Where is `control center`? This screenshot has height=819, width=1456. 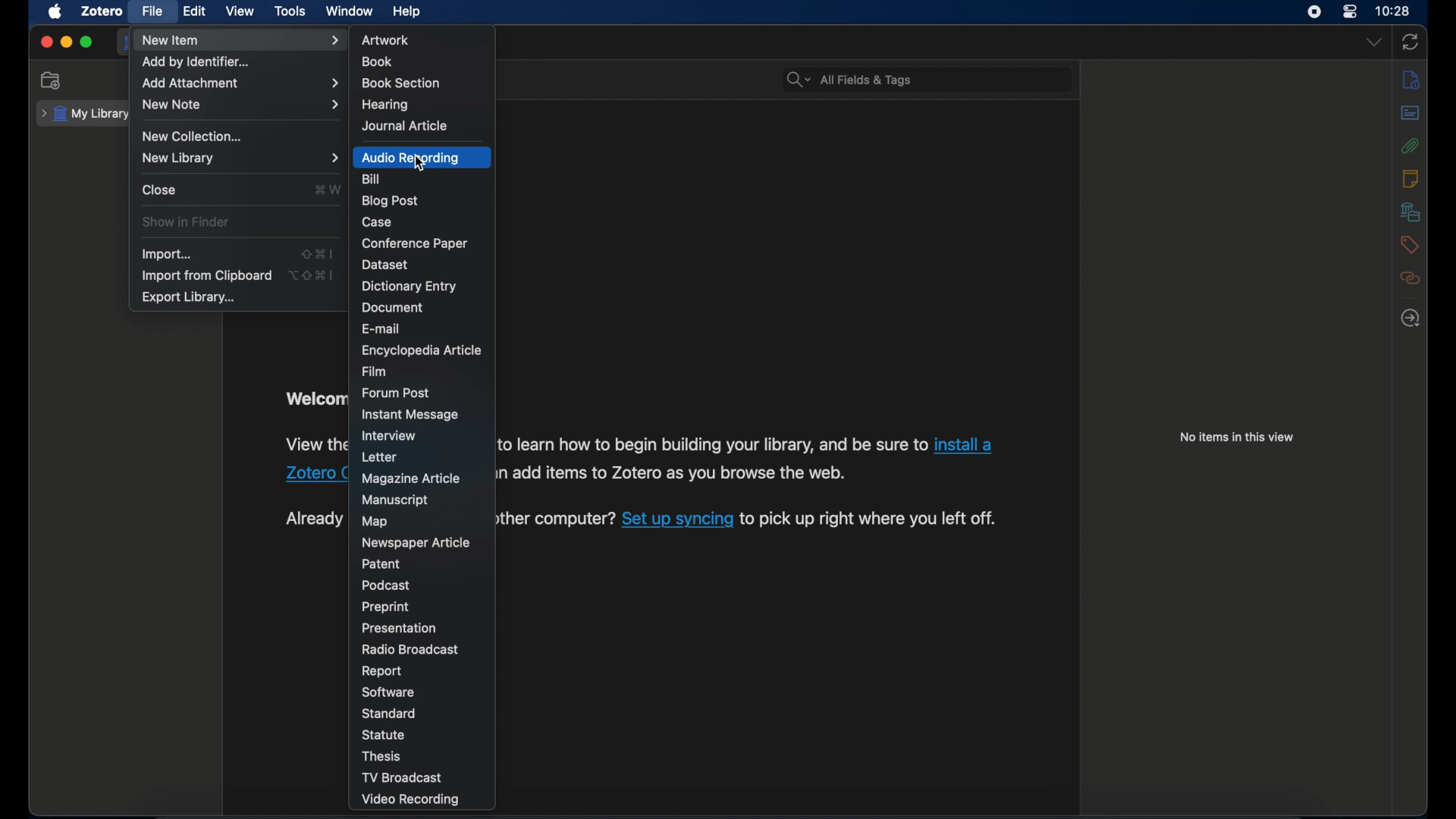 control center is located at coordinates (1350, 11).